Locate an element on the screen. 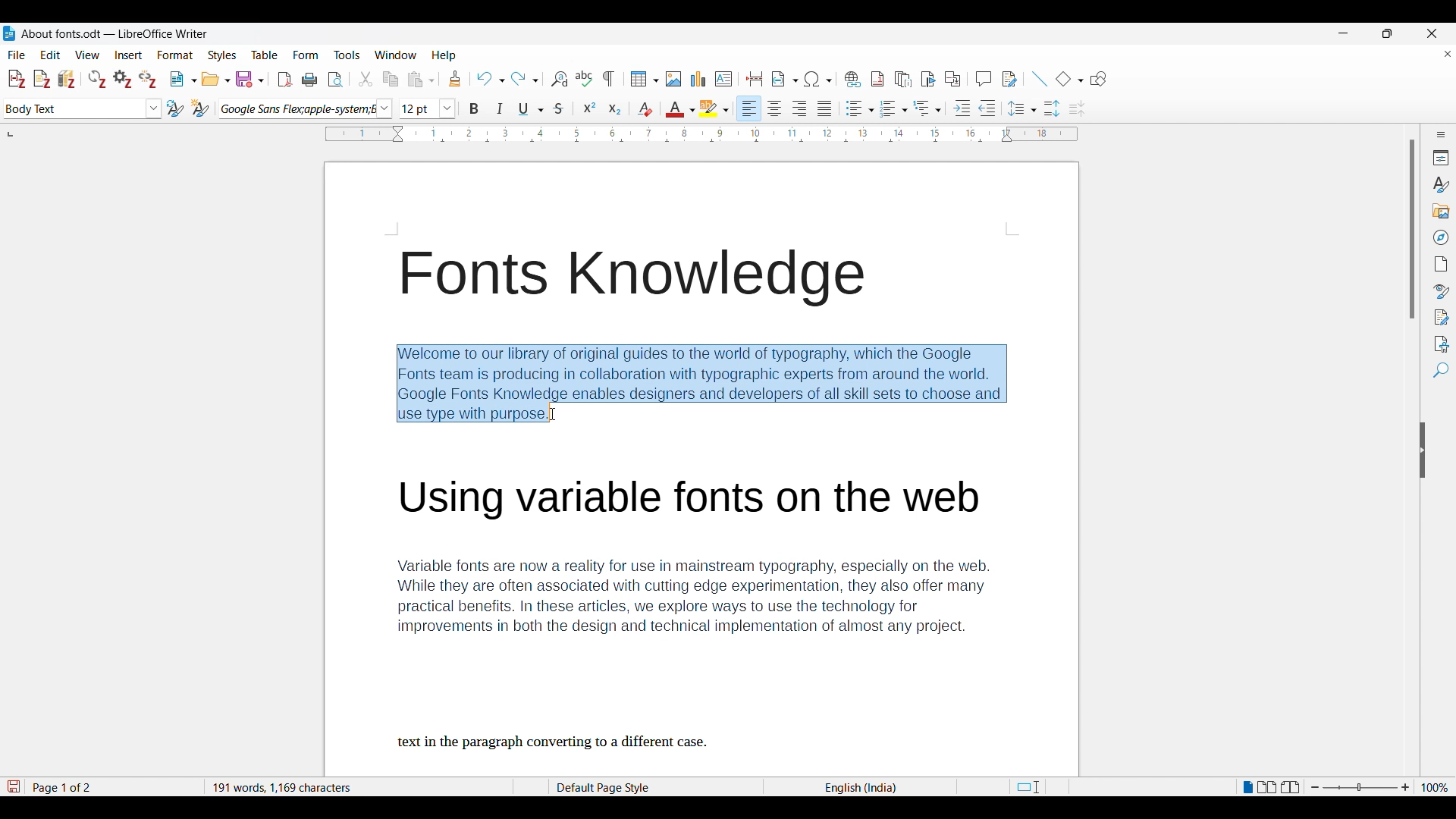  Insert field is located at coordinates (785, 79).